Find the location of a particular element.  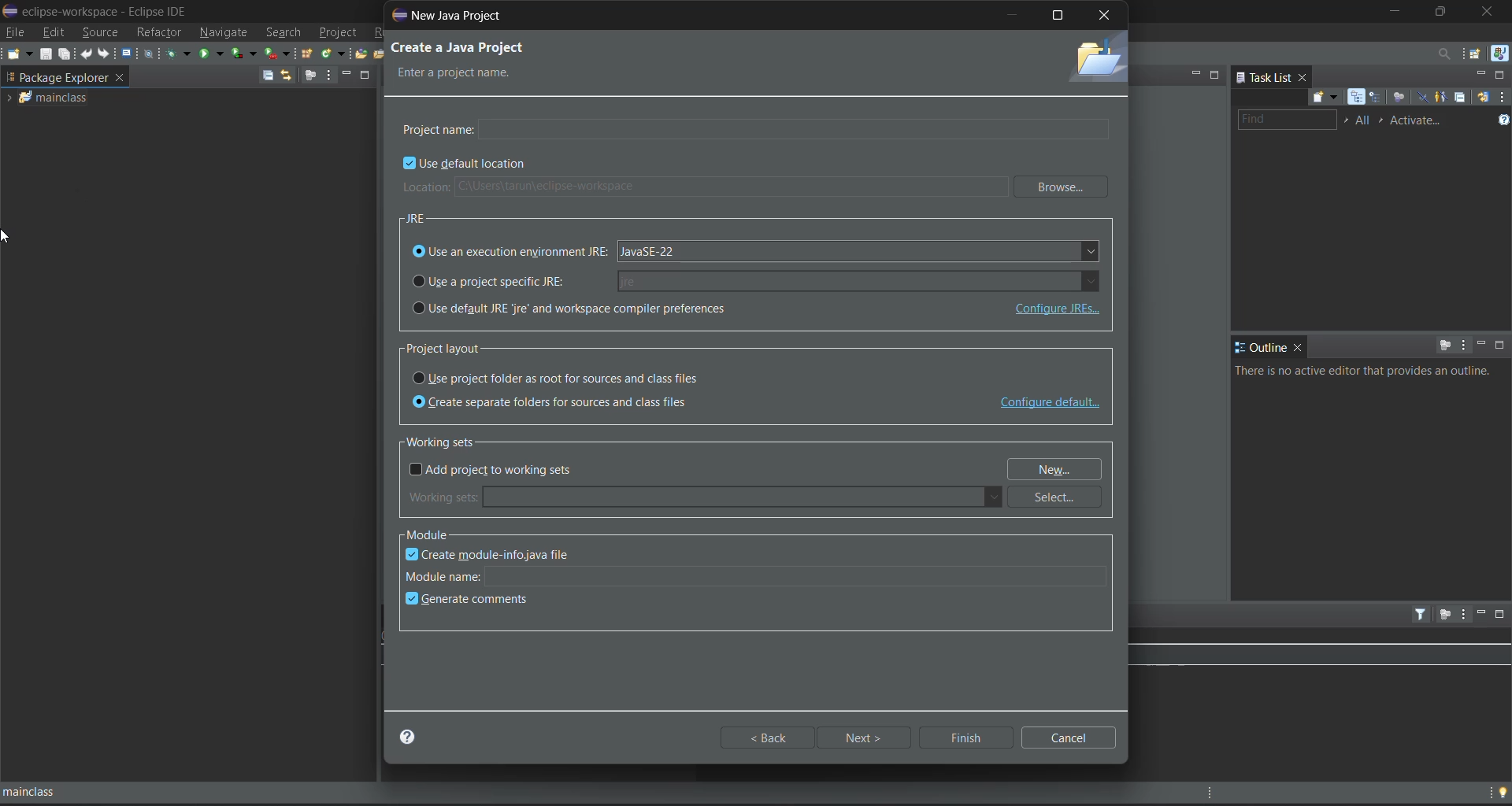

mainclass is located at coordinates (68, 98).